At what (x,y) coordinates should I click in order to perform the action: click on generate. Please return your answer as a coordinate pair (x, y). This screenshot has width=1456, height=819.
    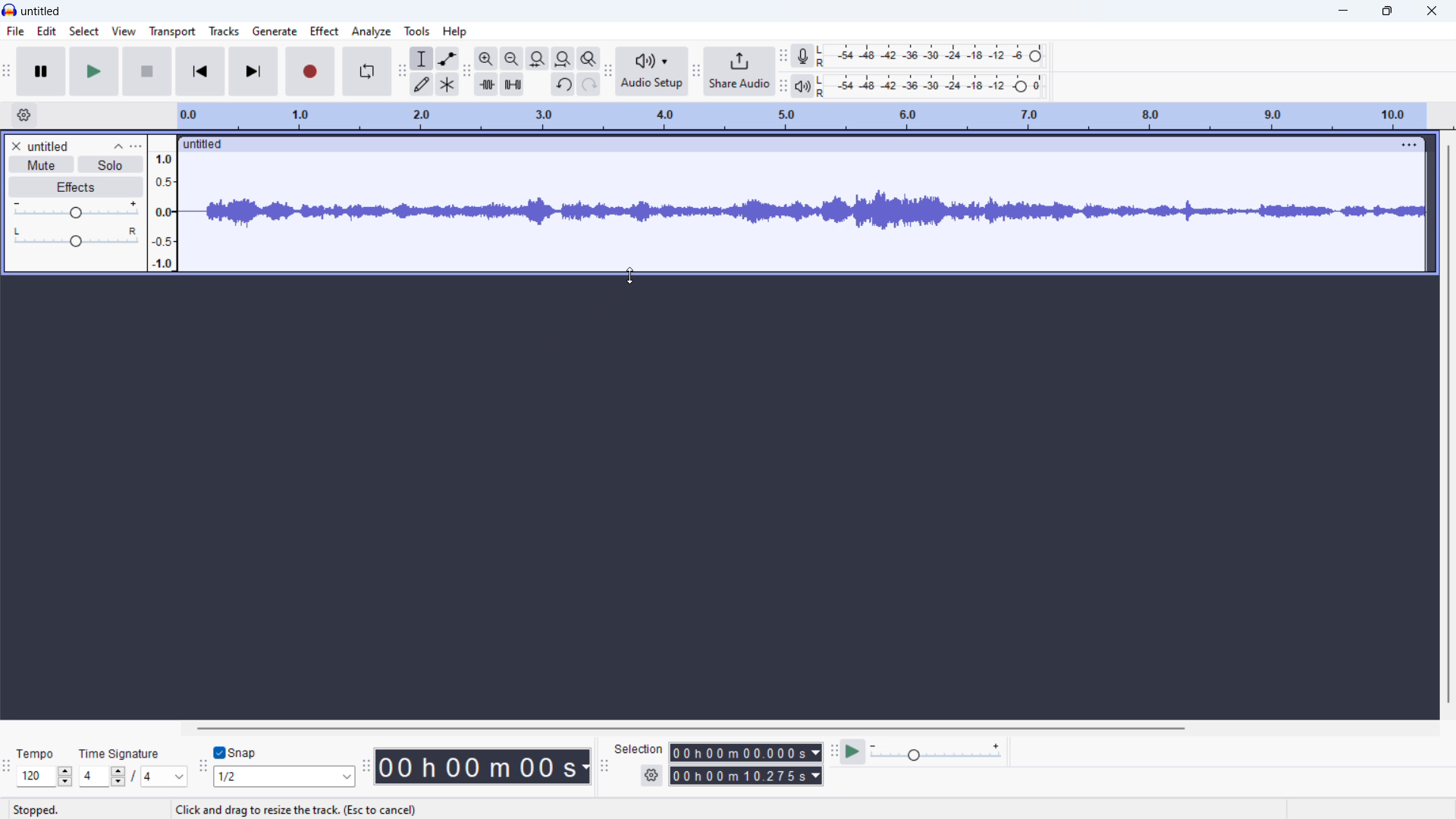
    Looking at the image, I should click on (274, 31).